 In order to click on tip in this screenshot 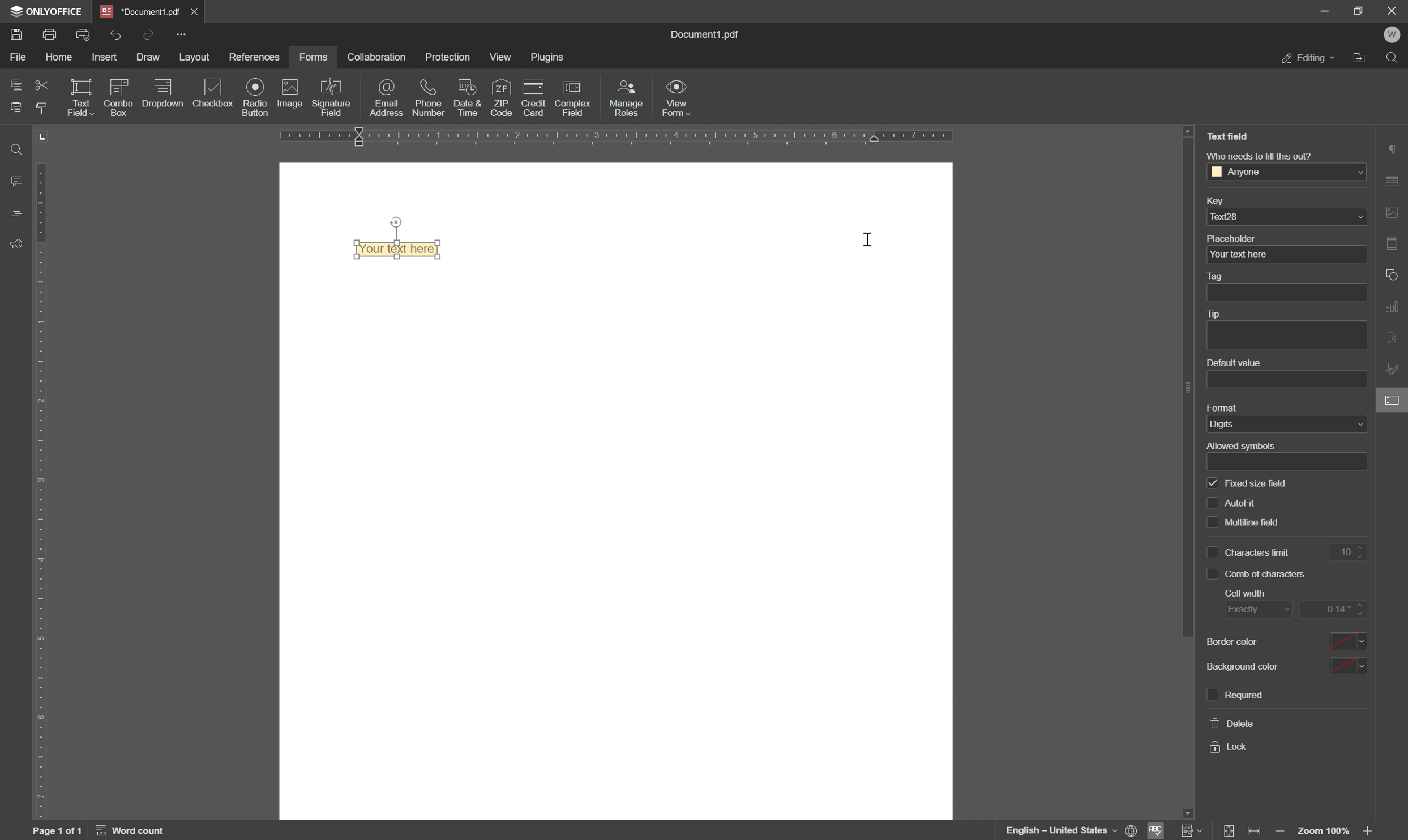, I will do `click(1215, 314)`.